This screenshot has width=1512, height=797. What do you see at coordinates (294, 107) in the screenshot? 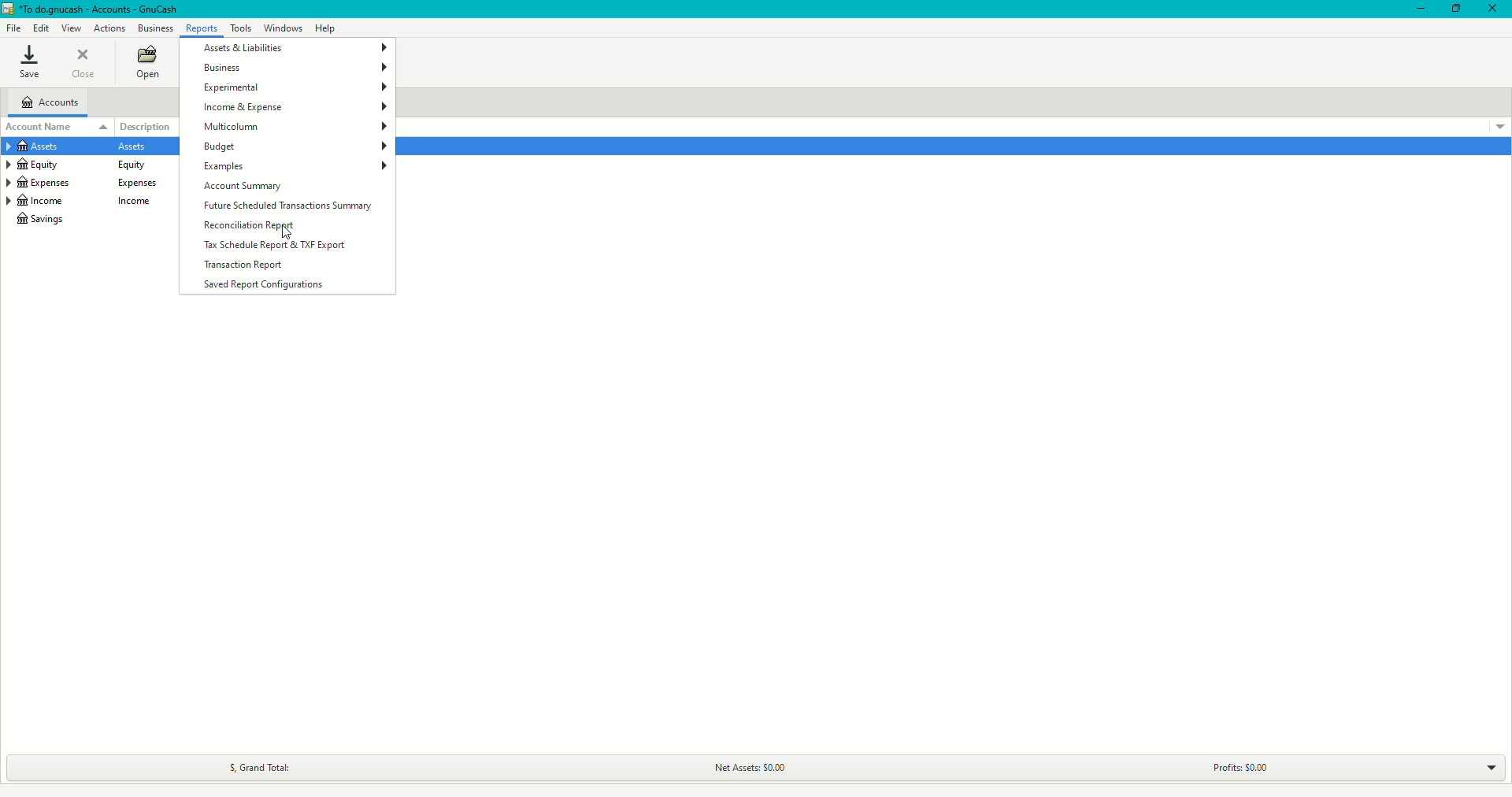
I see `Income and Expenses` at bounding box center [294, 107].